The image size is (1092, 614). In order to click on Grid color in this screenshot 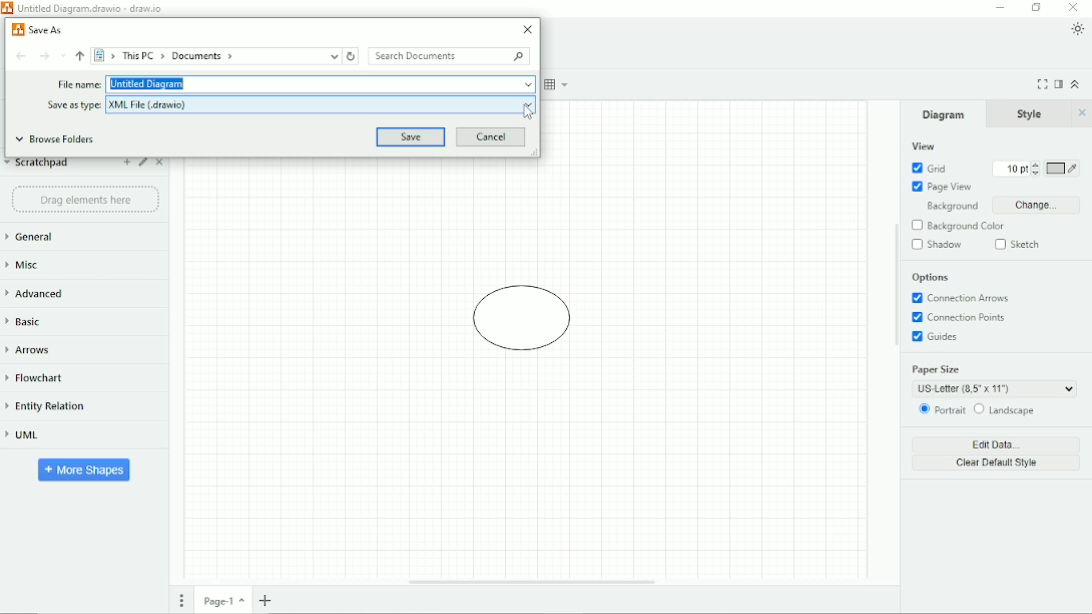, I will do `click(1063, 168)`.